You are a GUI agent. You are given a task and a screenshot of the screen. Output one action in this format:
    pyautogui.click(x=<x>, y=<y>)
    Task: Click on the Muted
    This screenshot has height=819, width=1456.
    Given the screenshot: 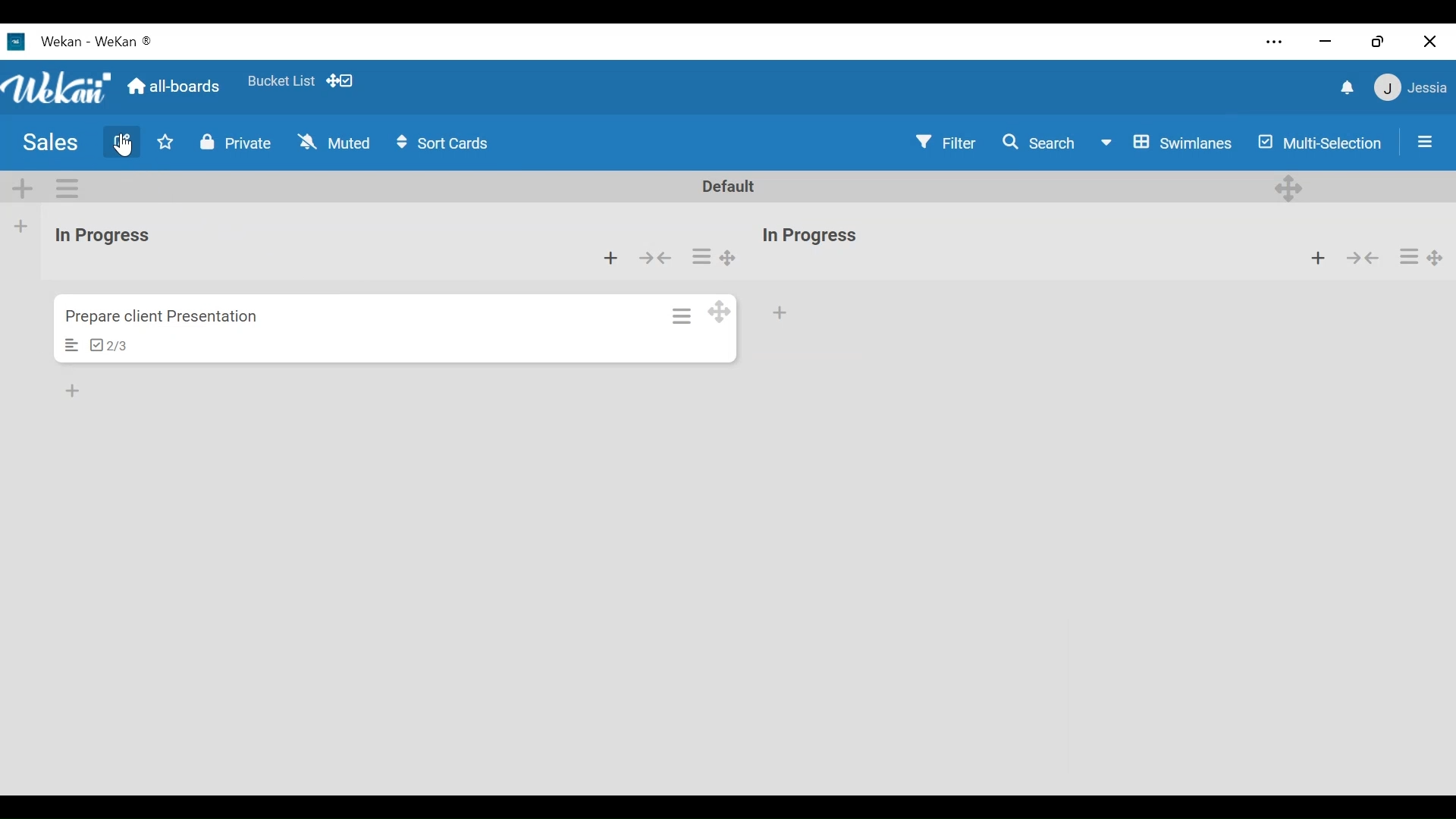 What is the action you would take?
    pyautogui.click(x=335, y=143)
    